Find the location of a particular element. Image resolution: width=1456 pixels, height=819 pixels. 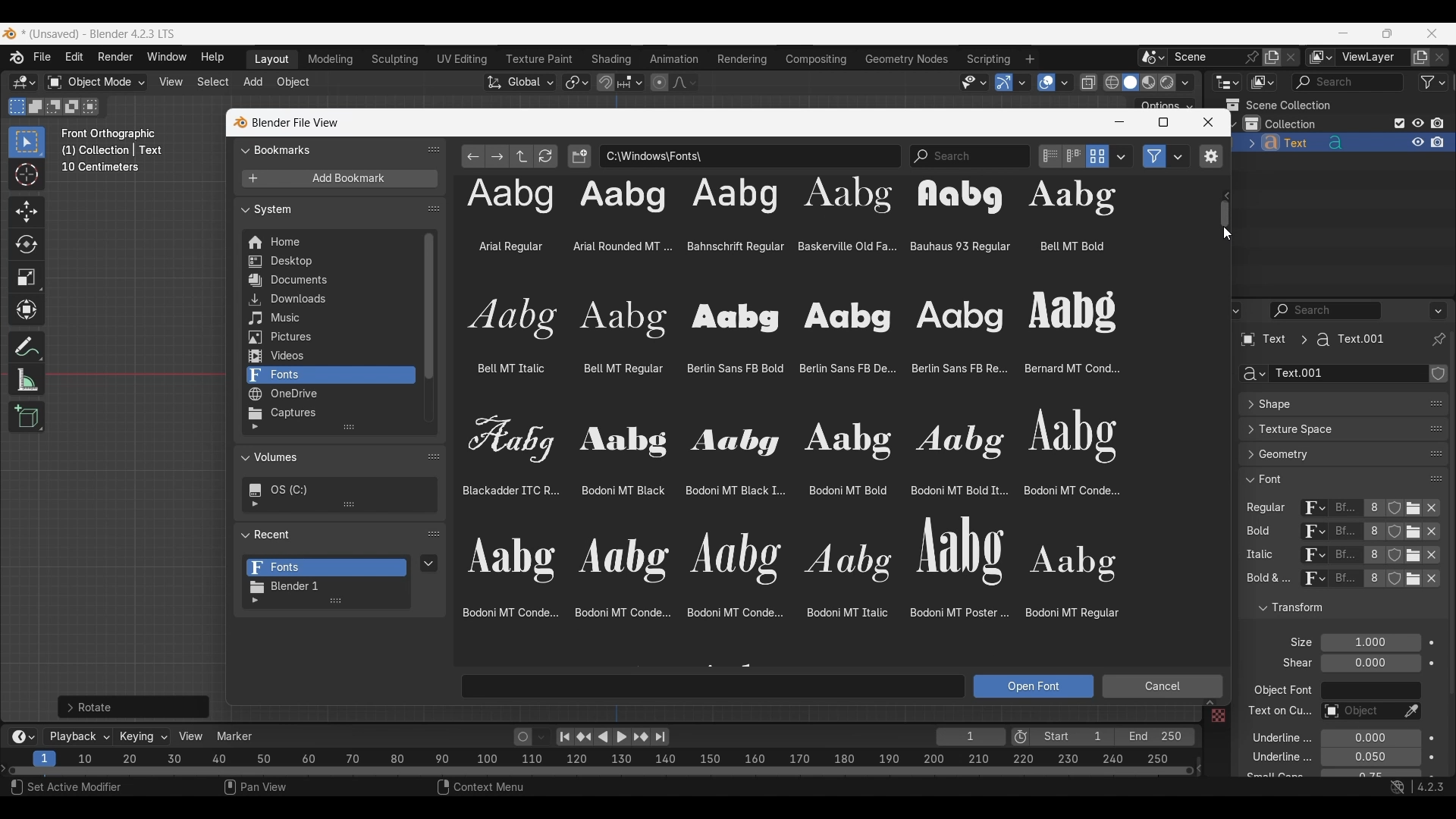

nlink respective attribute is located at coordinates (1406, 533).